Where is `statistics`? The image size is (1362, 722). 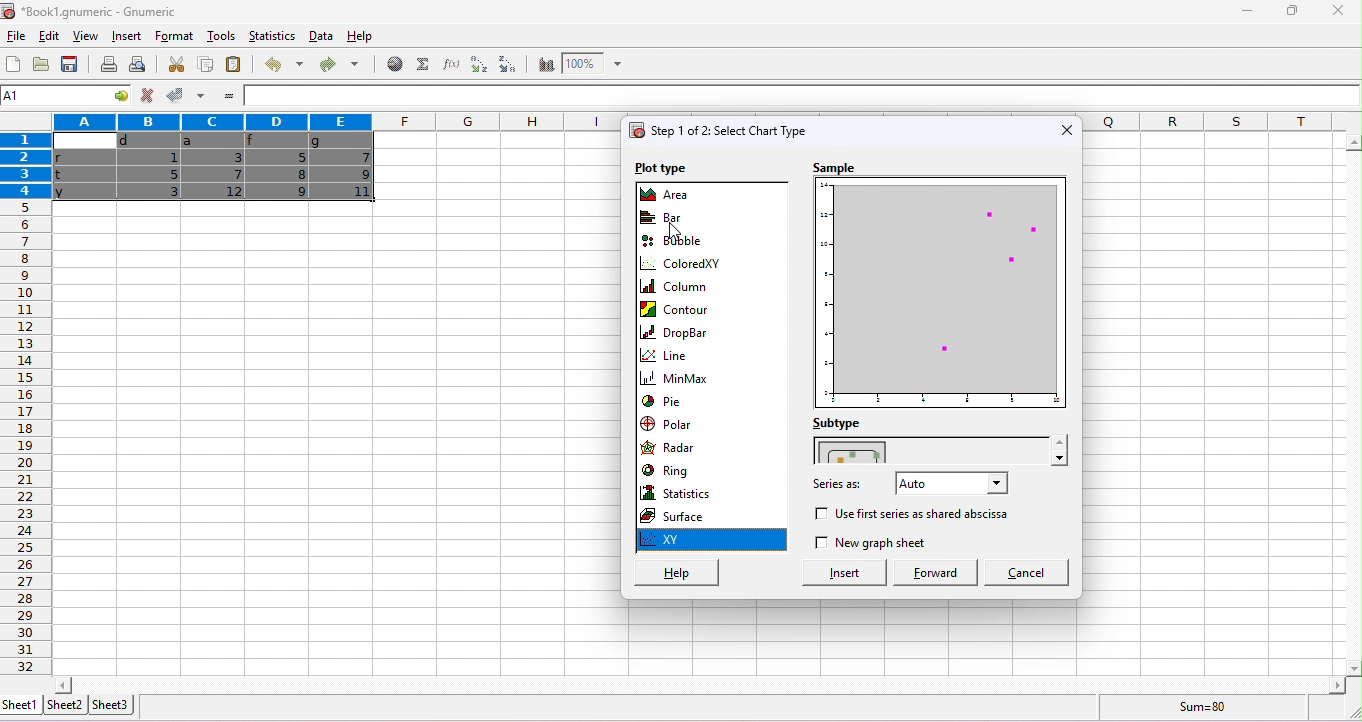
statistics is located at coordinates (272, 35).